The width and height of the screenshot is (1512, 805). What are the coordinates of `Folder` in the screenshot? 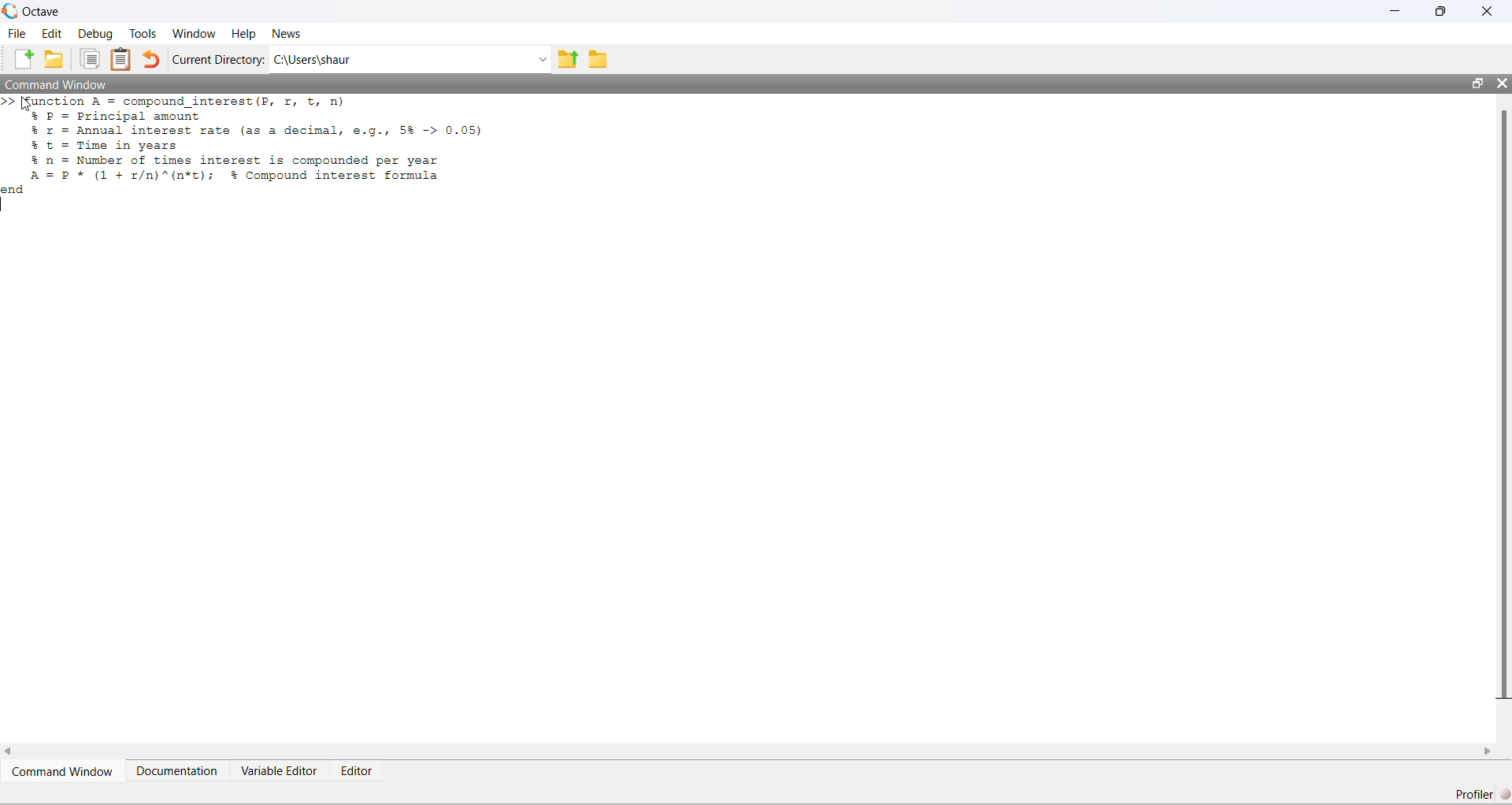 It's located at (598, 59).